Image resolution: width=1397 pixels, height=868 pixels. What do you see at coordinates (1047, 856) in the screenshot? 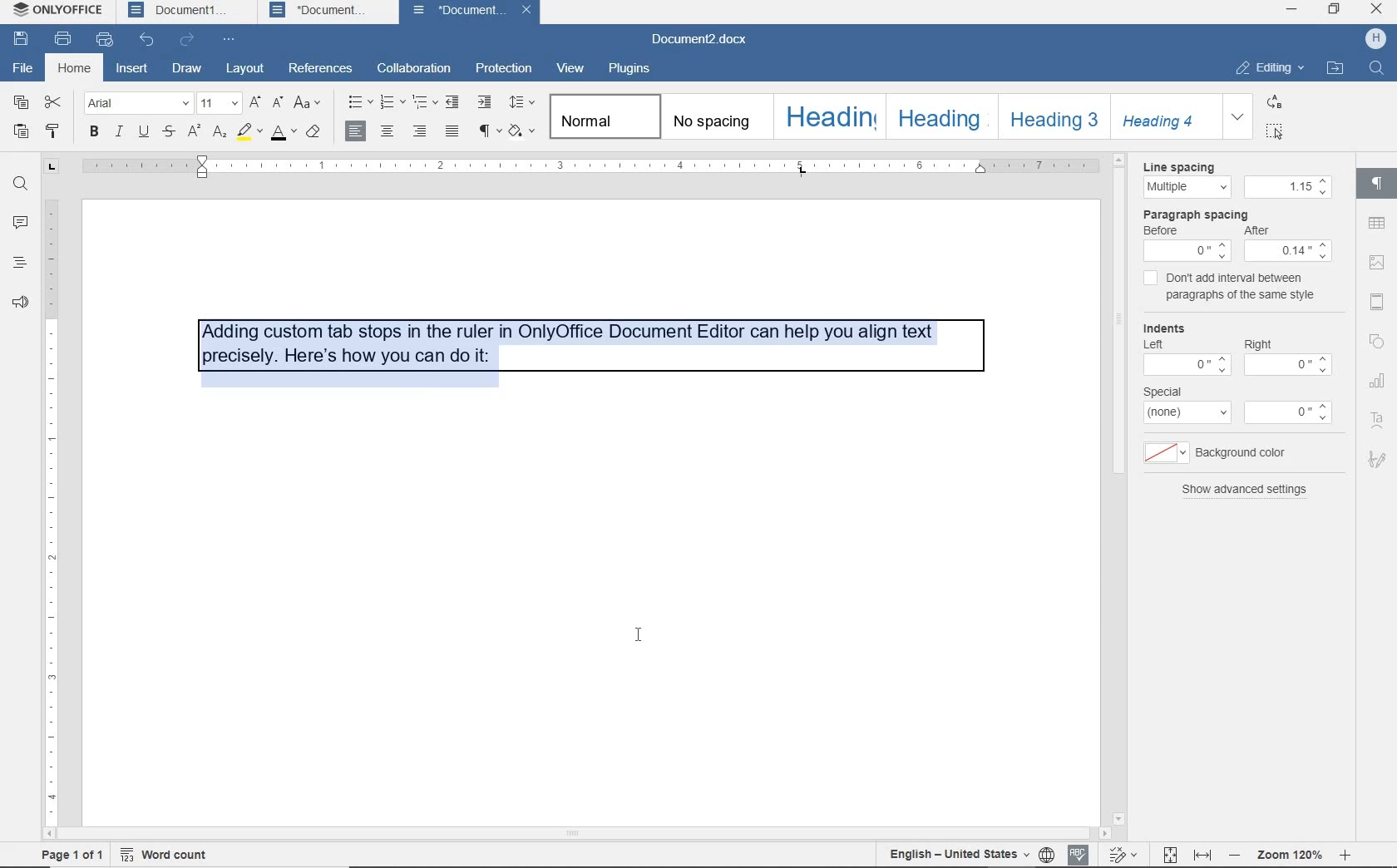
I see `set document language` at bounding box center [1047, 856].